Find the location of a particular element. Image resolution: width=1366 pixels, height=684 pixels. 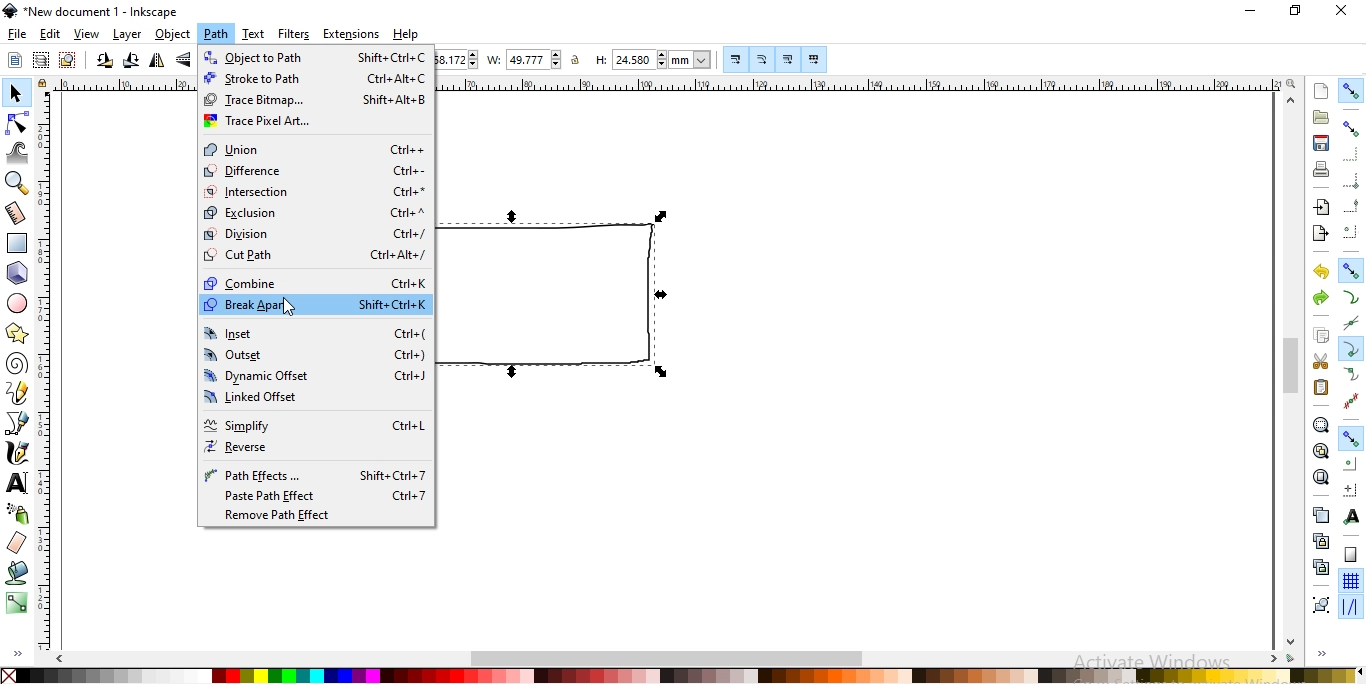

create a dupllicate is located at coordinates (1320, 515).